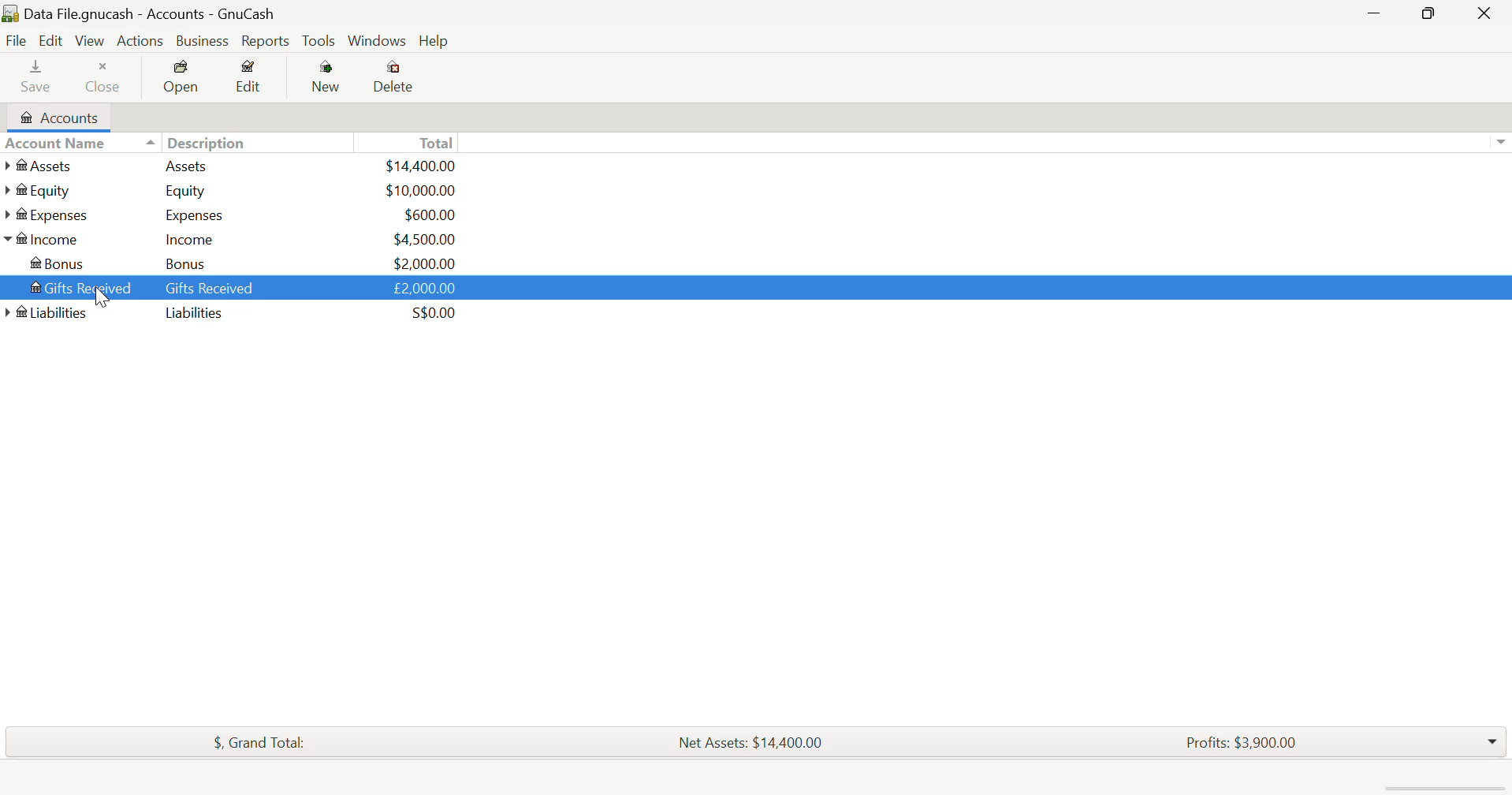 This screenshot has width=1512, height=795. Describe the element at coordinates (319, 40) in the screenshot. I see `Tools` at that location.